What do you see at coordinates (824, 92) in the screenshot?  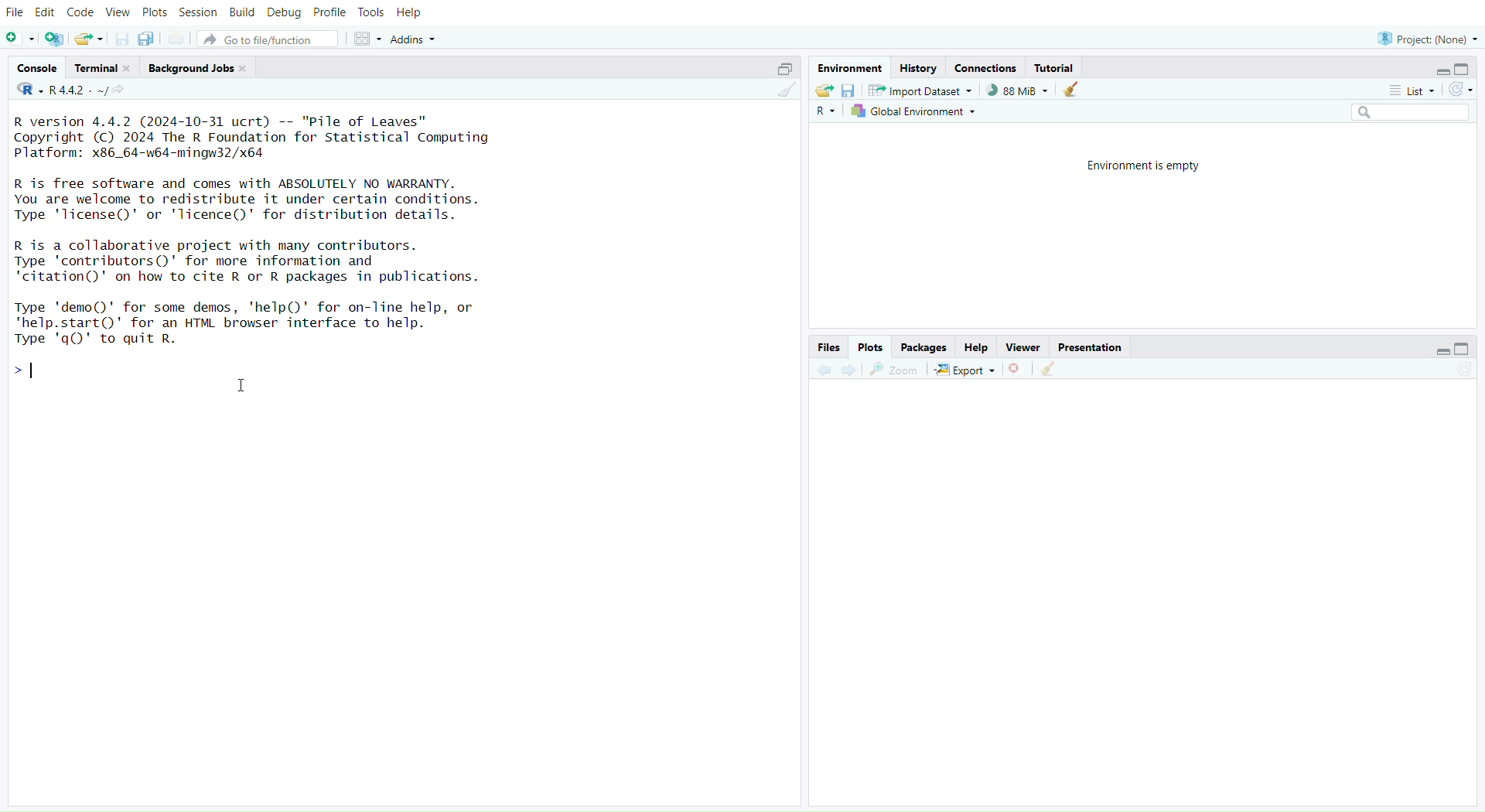 I see `load workspace` at bounding box center [824, 92].